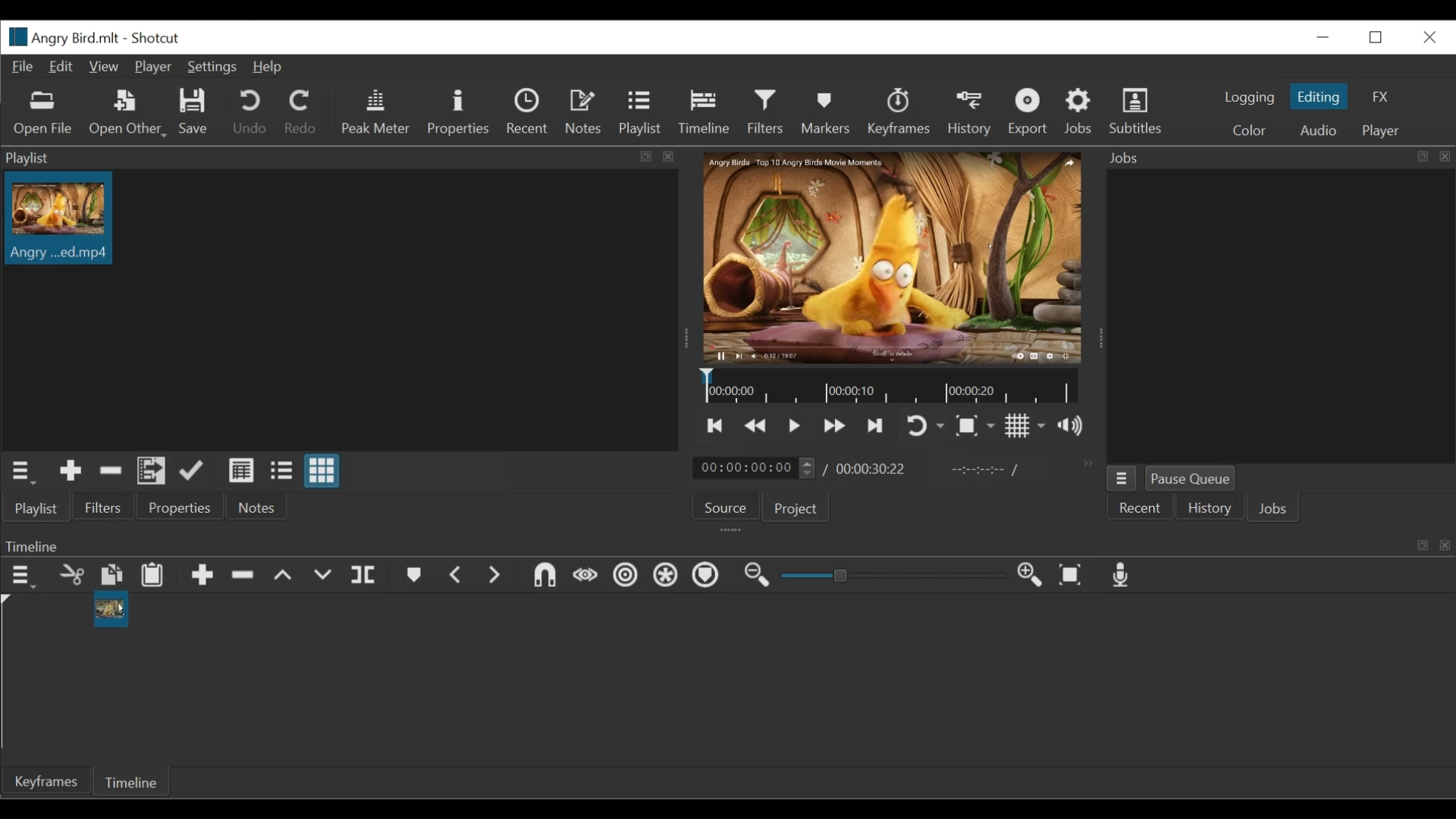  What do you see at coordinates (758, 577) in the screenshot?
I see `Zoom timeline out` at bounding box center [758, 577].